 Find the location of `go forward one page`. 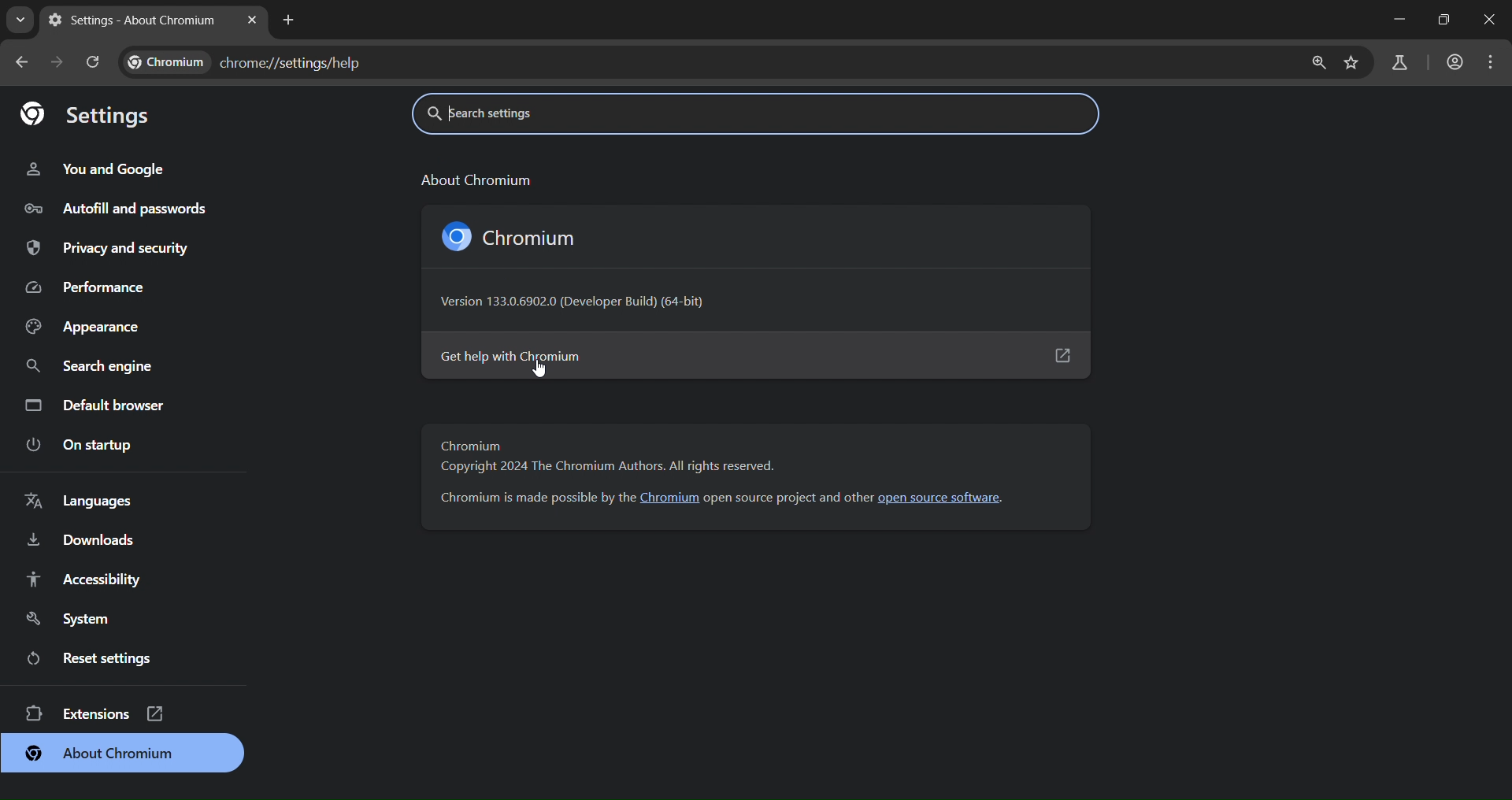

go forward one page is located at coordinates (60, 64).